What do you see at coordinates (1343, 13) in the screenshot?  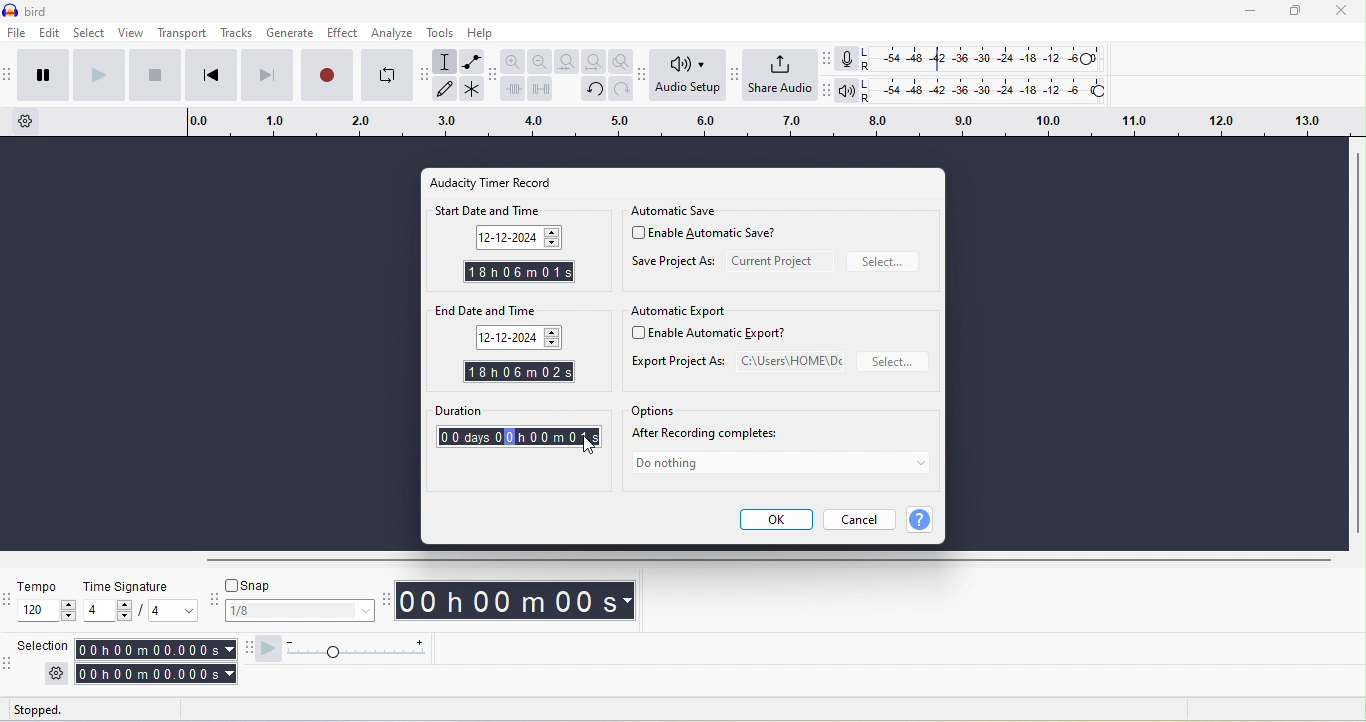 I see `close` at bounding box center [1343, 13].